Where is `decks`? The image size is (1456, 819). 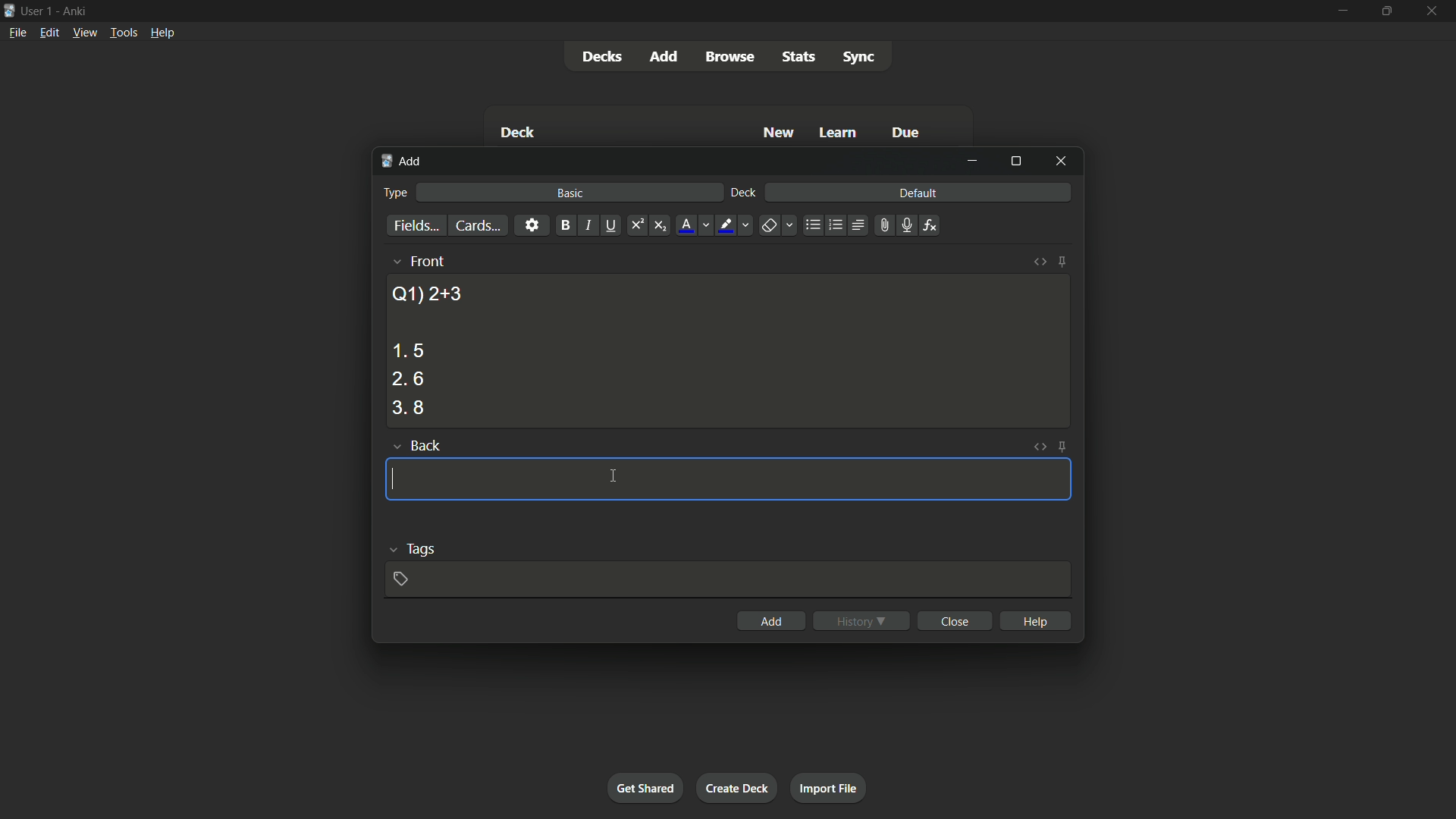
decks is located at coordinates (601, 57).